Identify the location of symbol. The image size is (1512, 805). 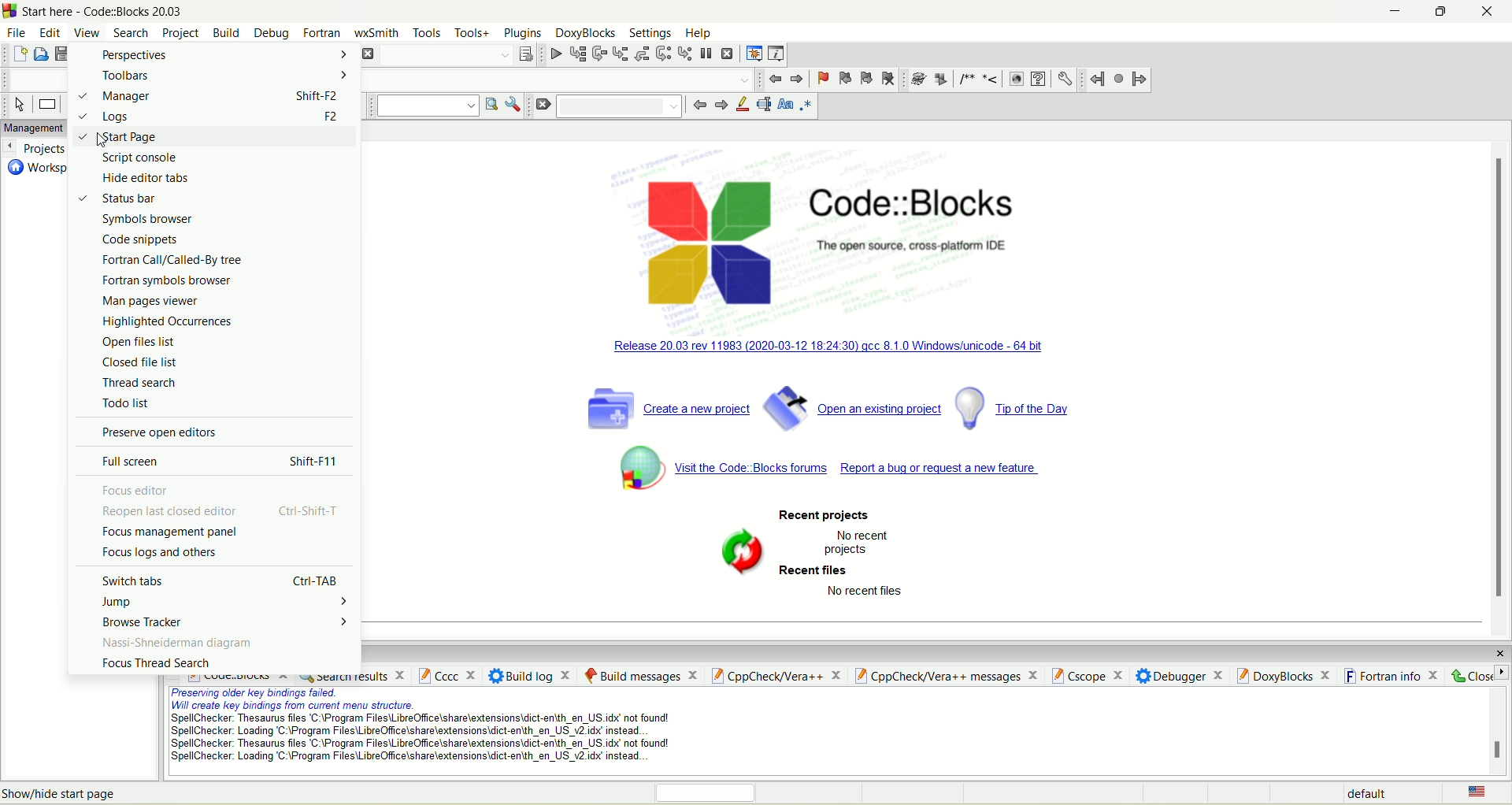
(742, 550).